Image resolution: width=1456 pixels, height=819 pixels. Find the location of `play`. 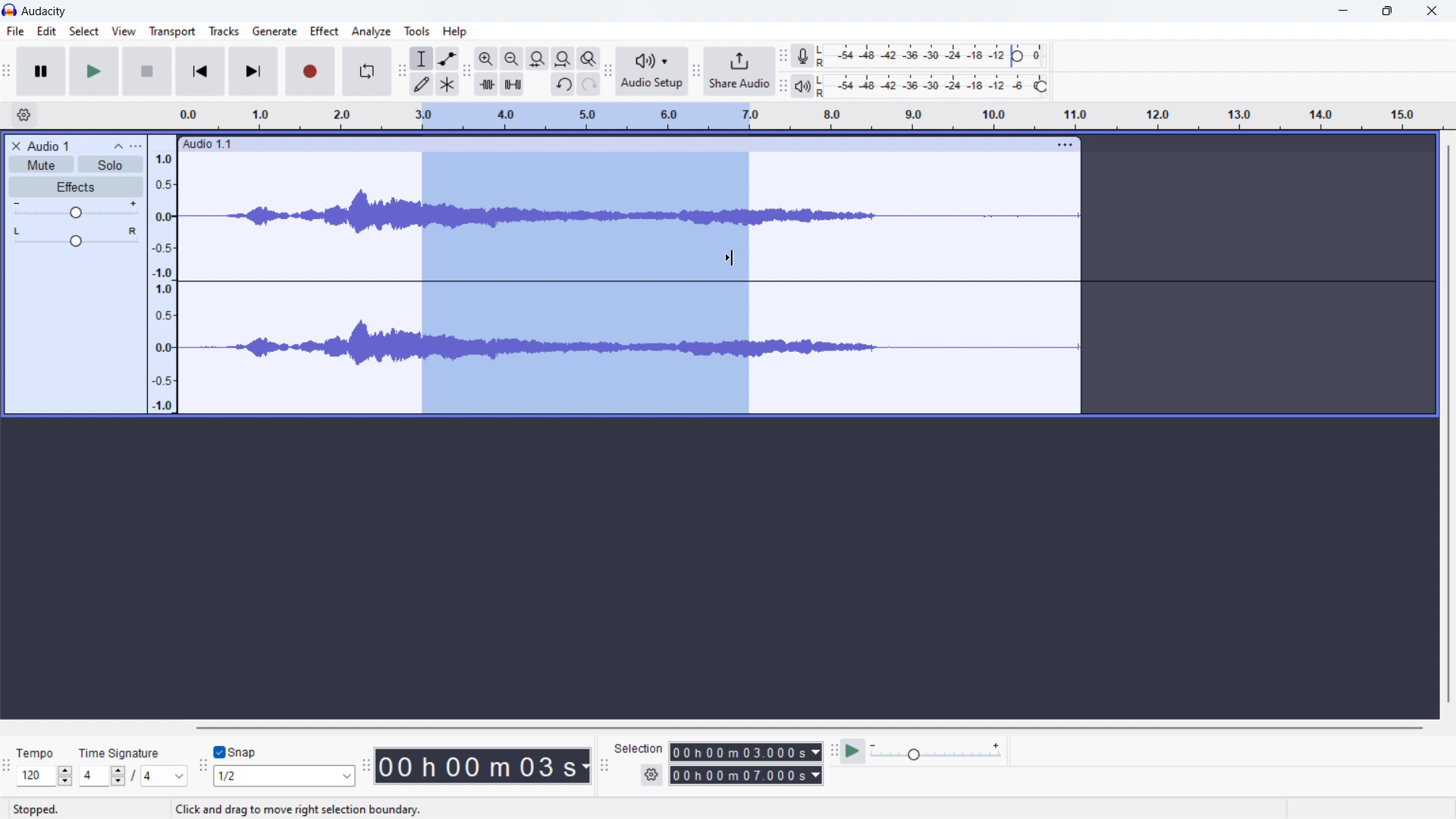

play is located at coordinates (95, 71).